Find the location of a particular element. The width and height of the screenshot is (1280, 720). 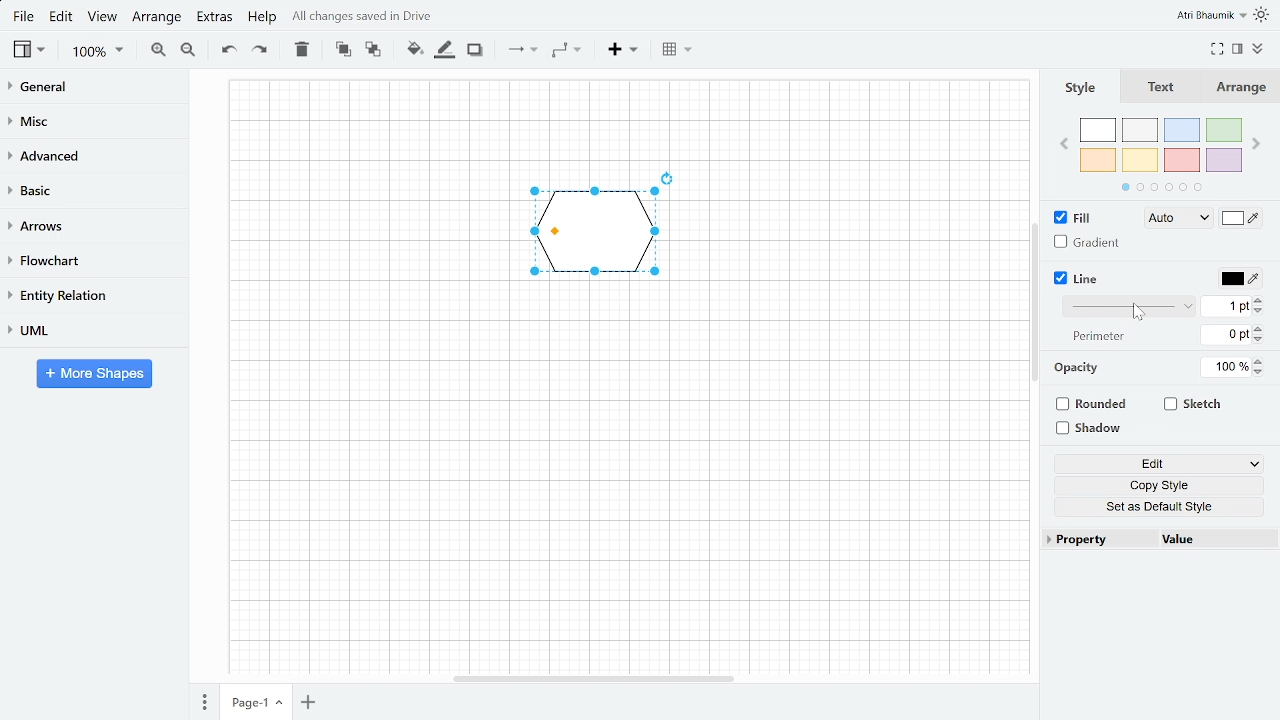

Gradient is located at coordinates (1087, 242).